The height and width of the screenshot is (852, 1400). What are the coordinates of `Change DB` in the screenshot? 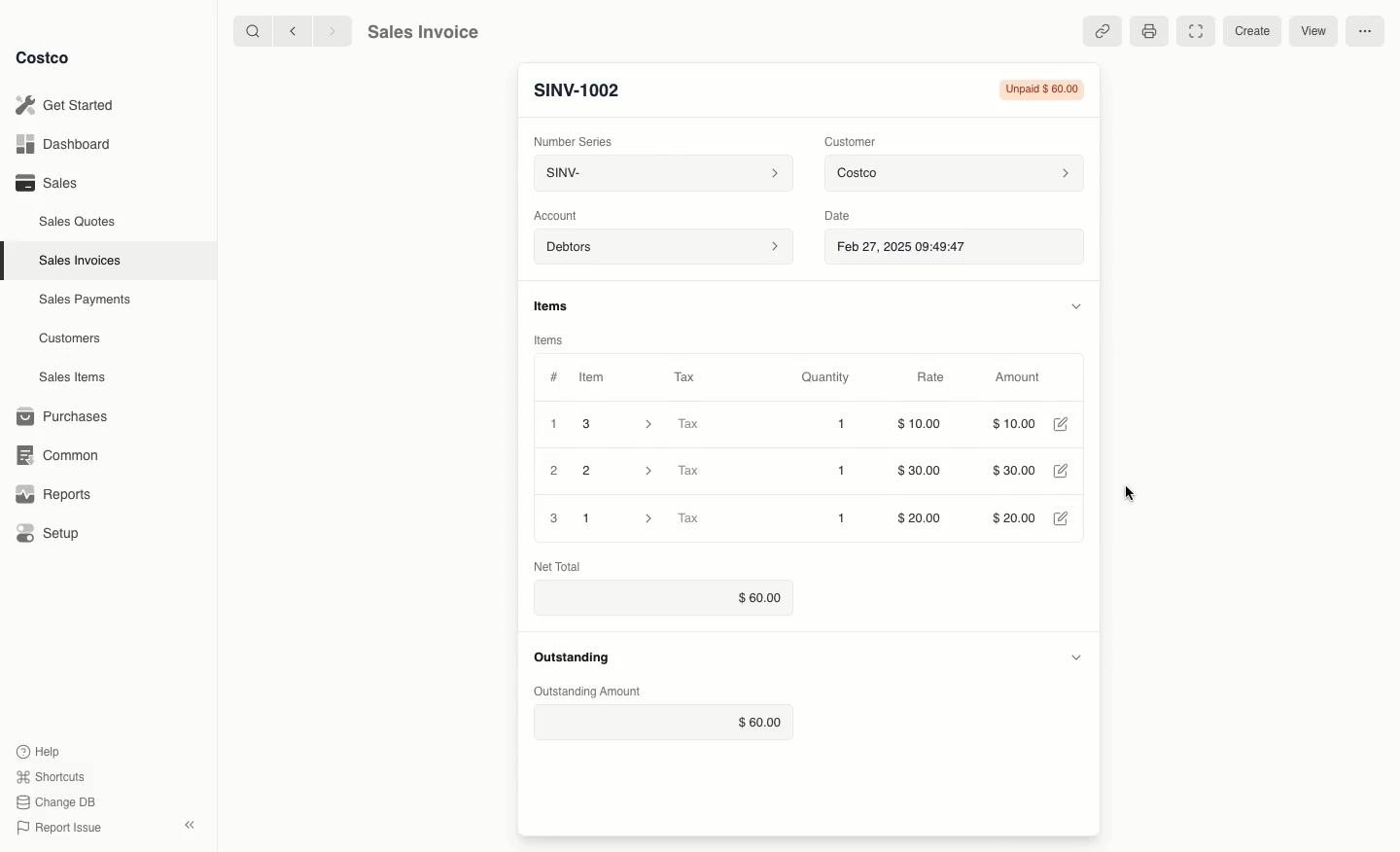 It's located at (58, 799).